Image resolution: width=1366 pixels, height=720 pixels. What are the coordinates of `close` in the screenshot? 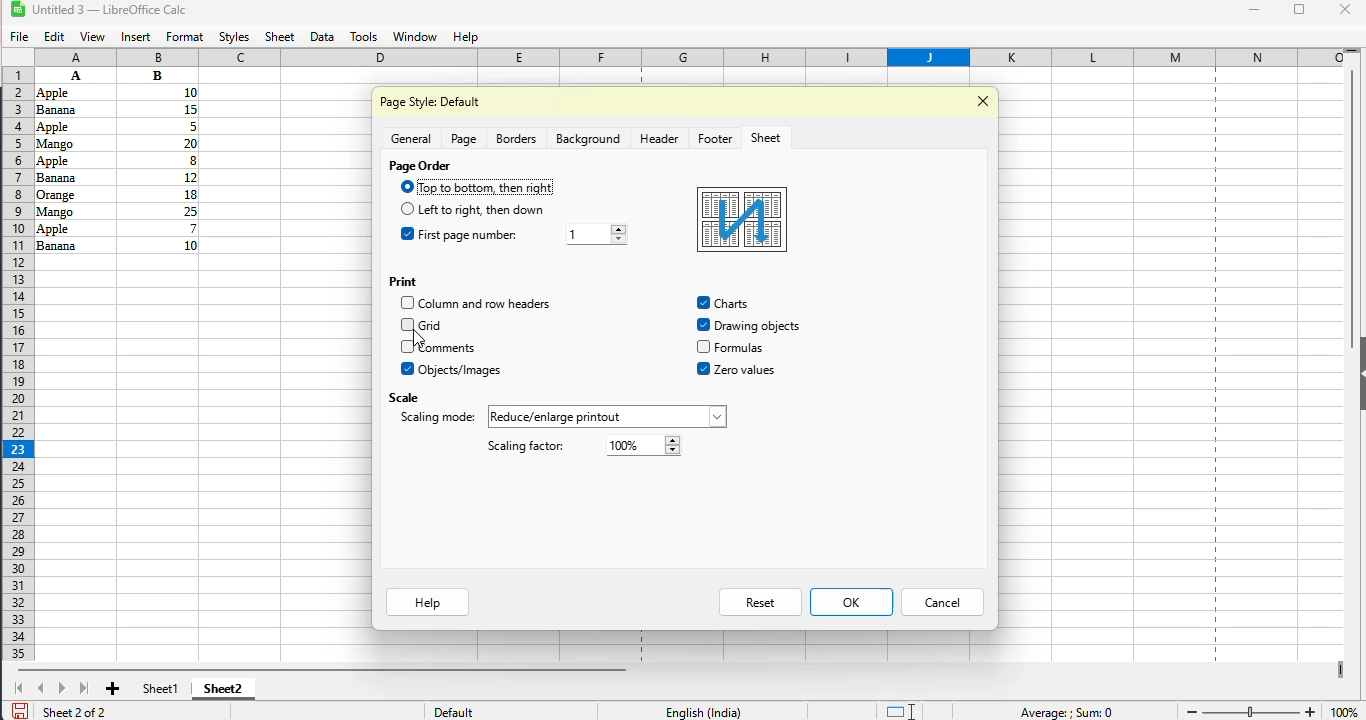 It's located at (984, 100).